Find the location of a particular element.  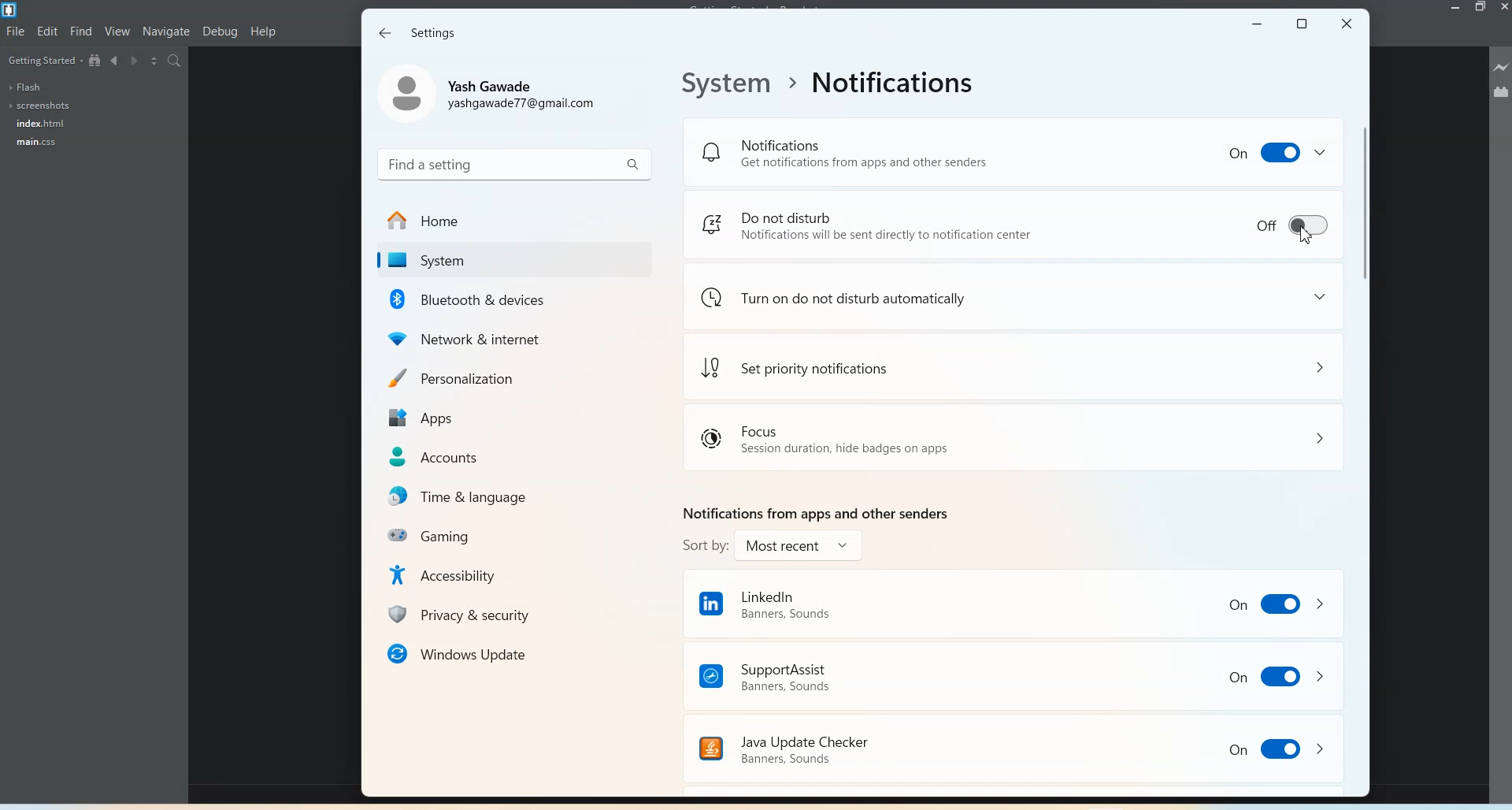

Privacy & Security is located at coordinates (509, 614).